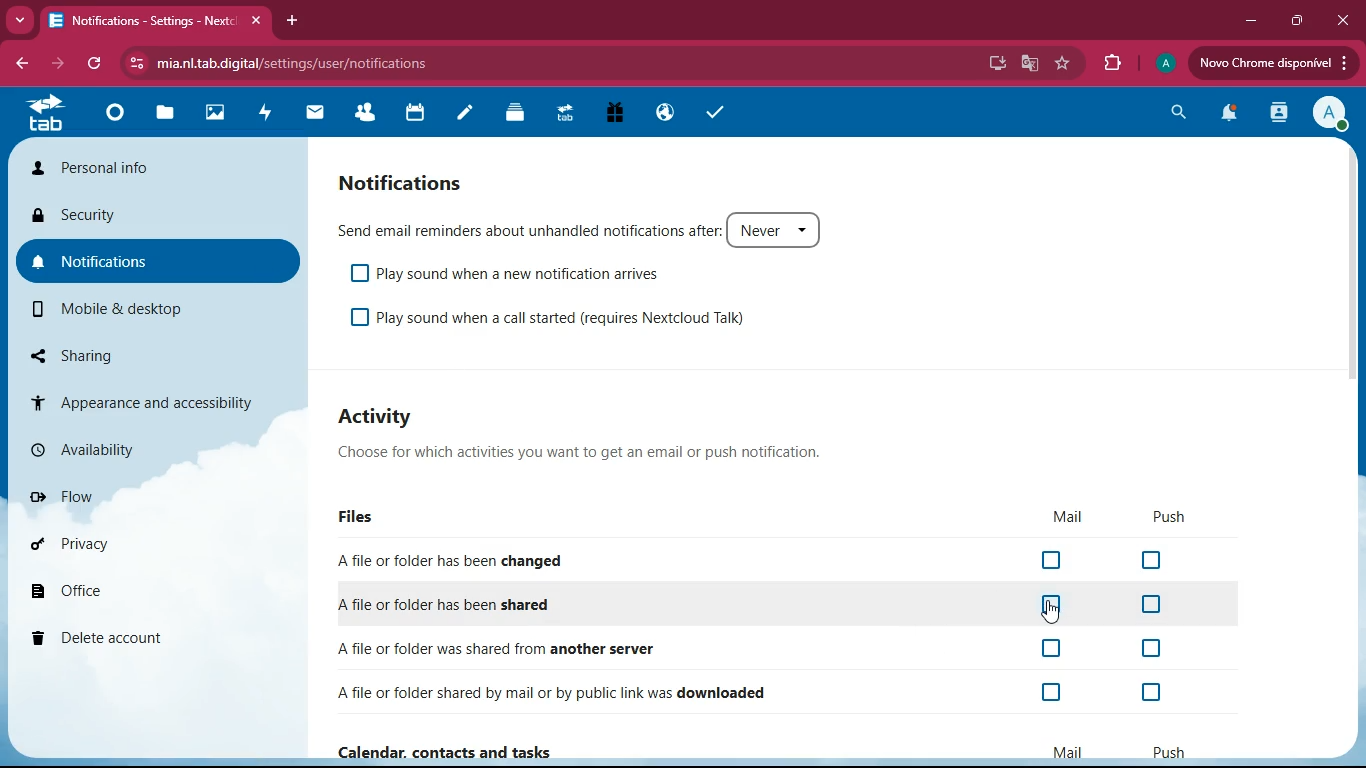  Describe the element at coordinates (551, 319) in the screenshot. I see `play sound` at that location.